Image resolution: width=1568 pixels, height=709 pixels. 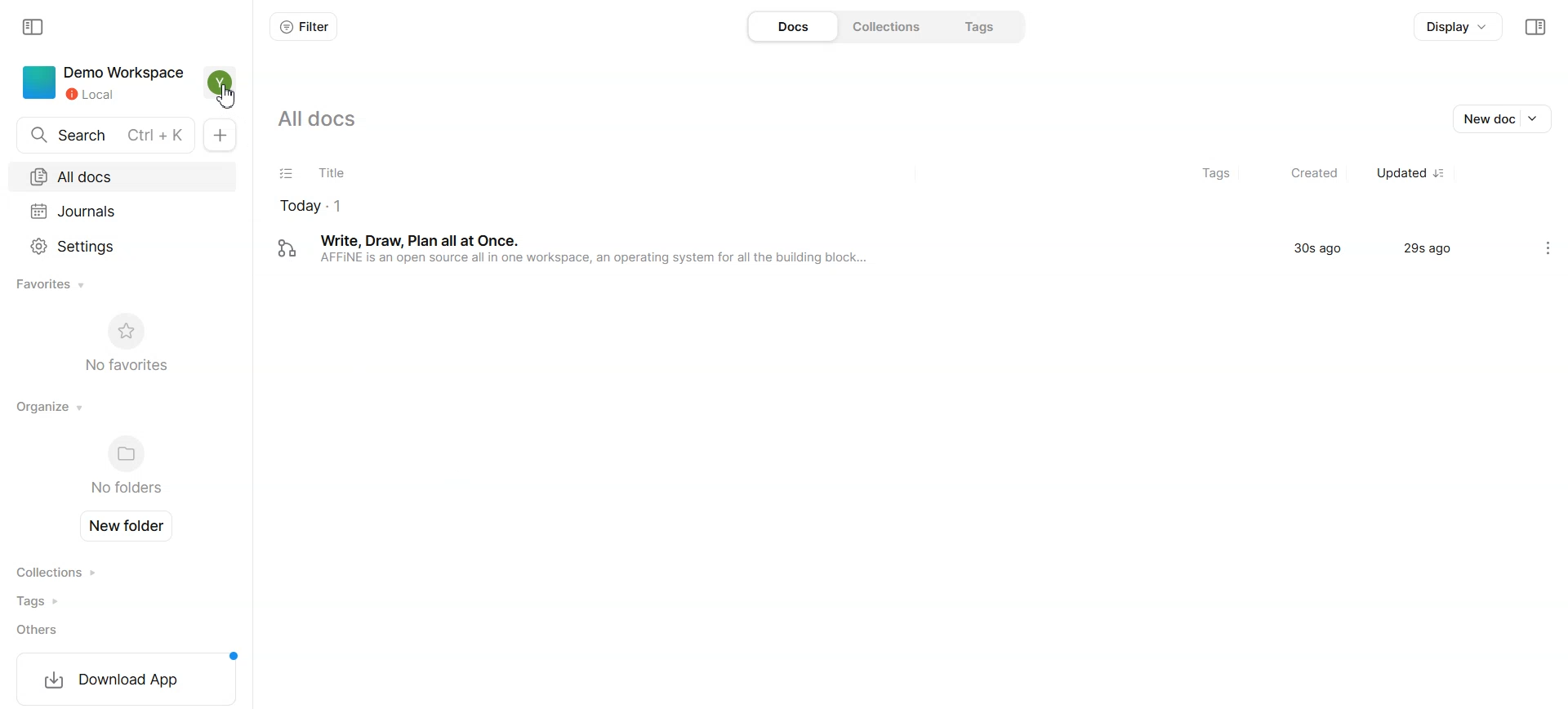 What do you see at coordinates (982, 25) in the screenshot?
I see `Tags` at bounding box center [982, 25].